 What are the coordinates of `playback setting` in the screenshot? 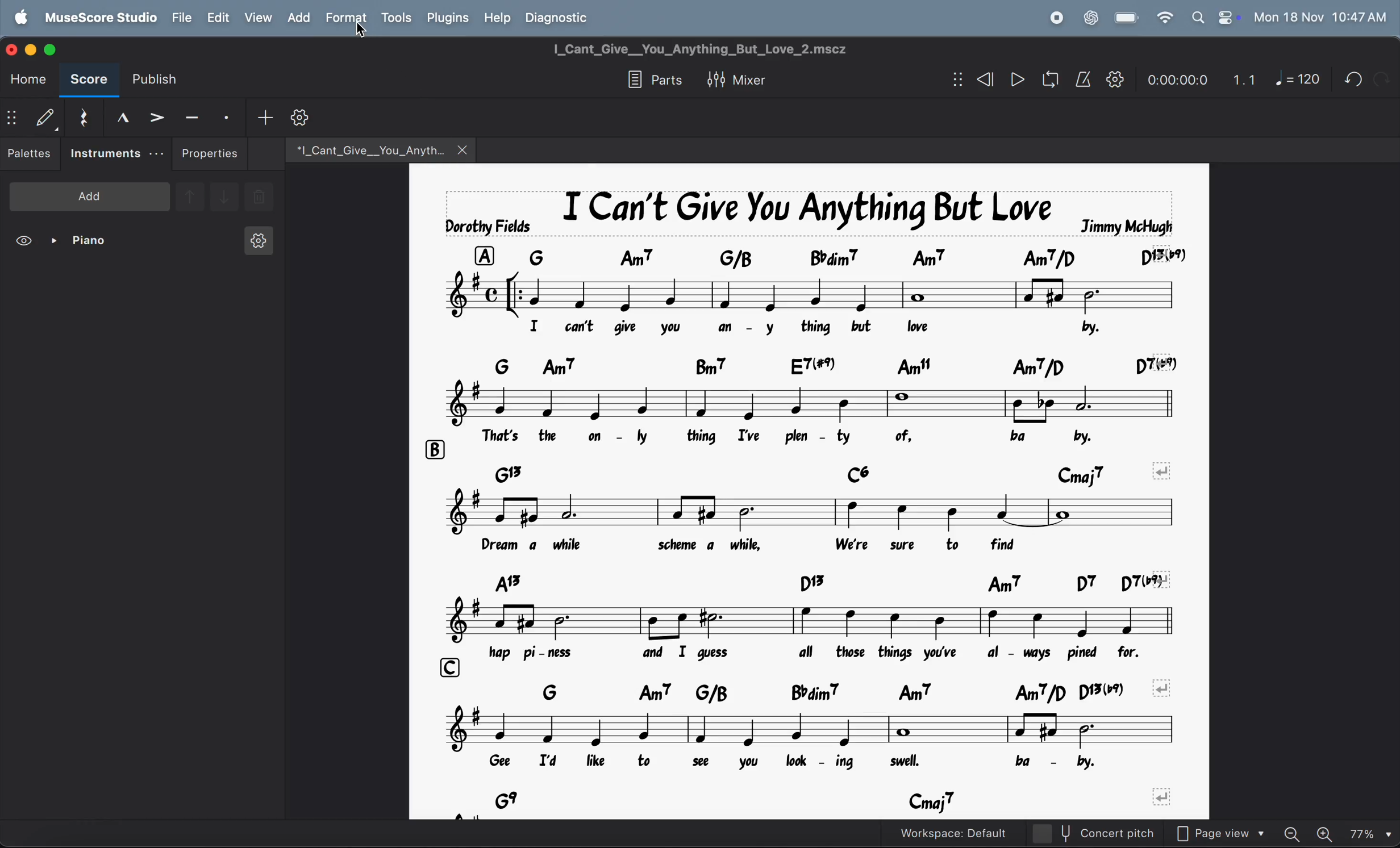 It's located at (1115, 79).